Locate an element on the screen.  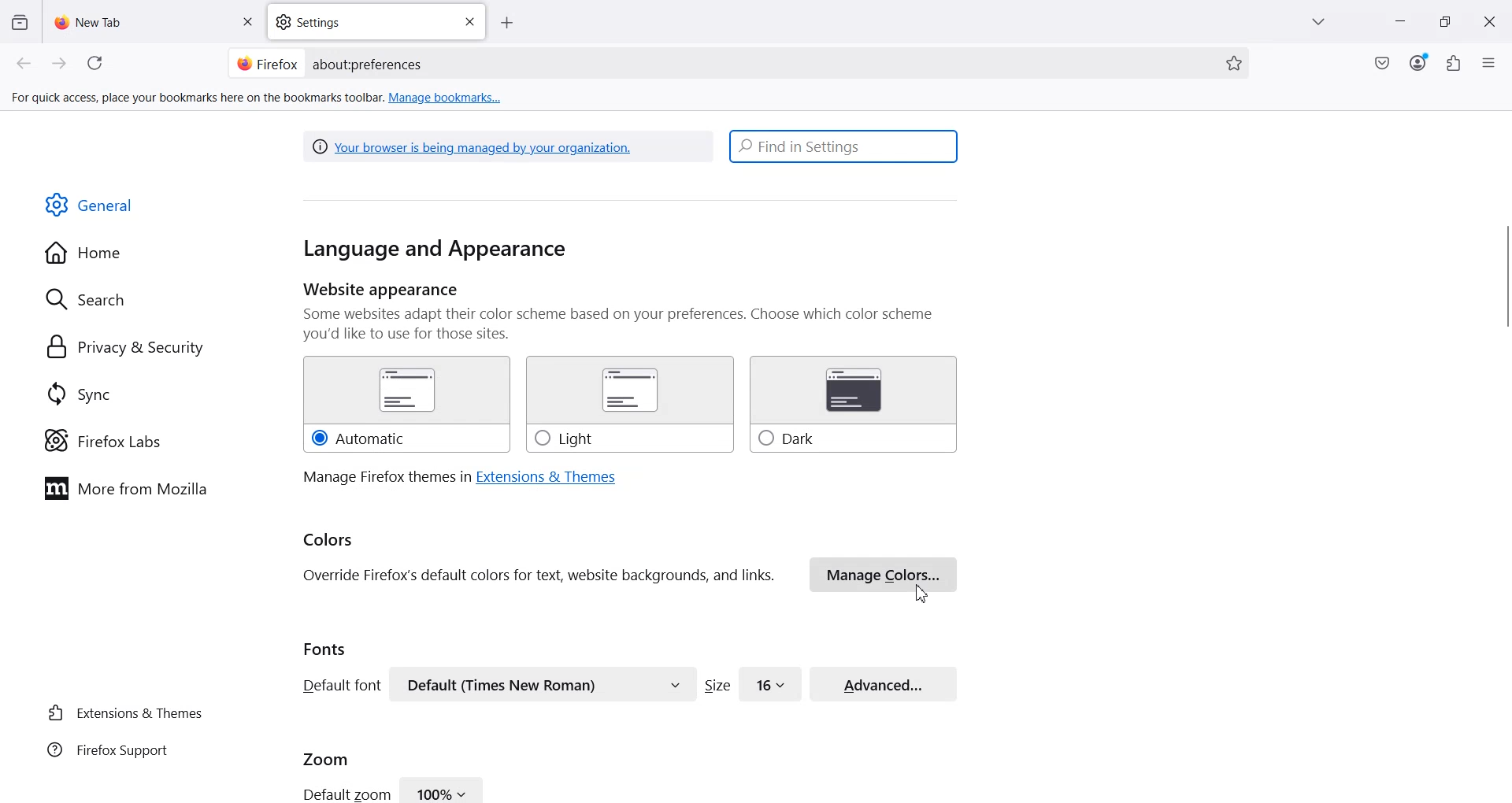
O Dark is located at coordinates (854, 405).